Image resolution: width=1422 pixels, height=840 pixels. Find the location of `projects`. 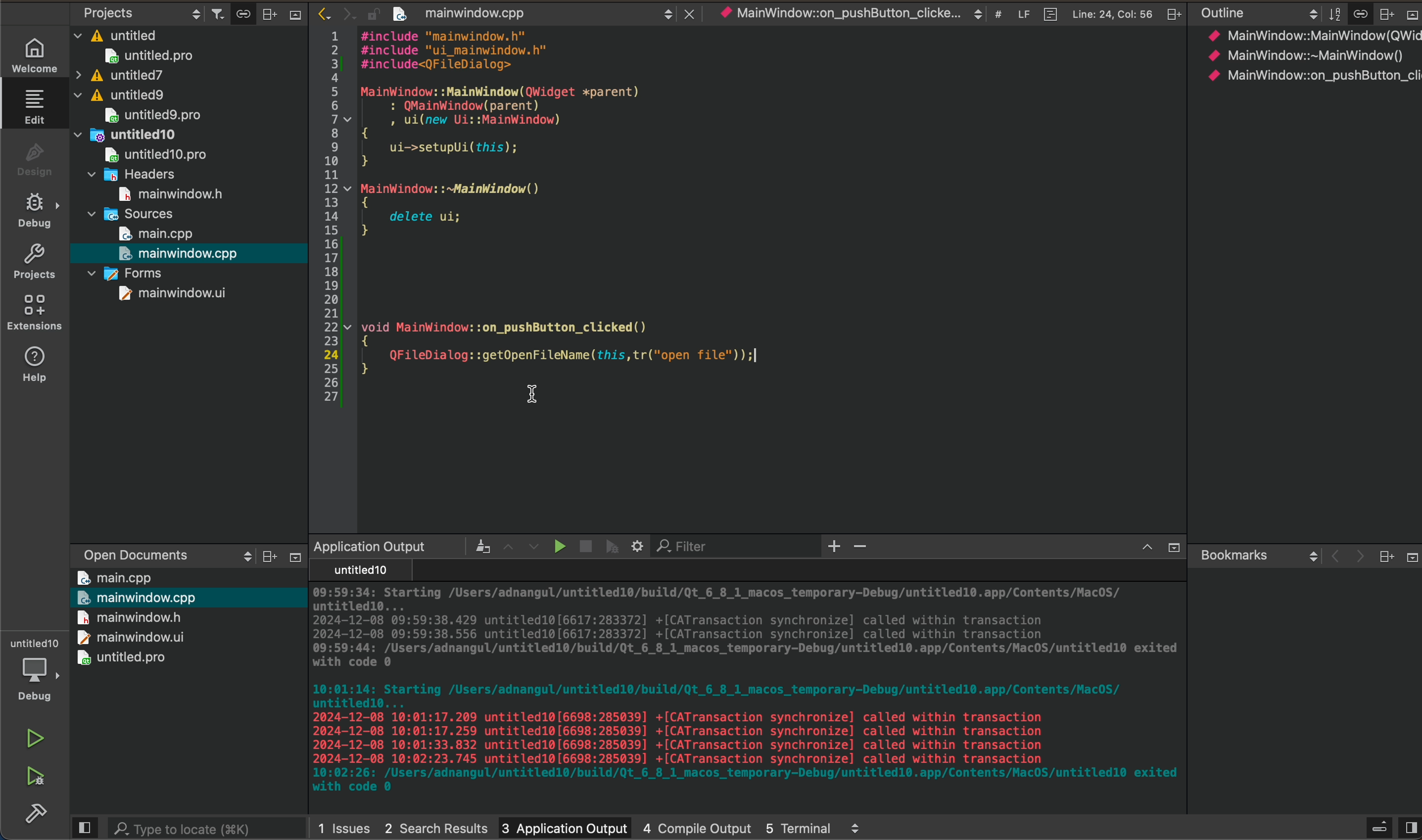

projects is located at coordinates (34, 261).